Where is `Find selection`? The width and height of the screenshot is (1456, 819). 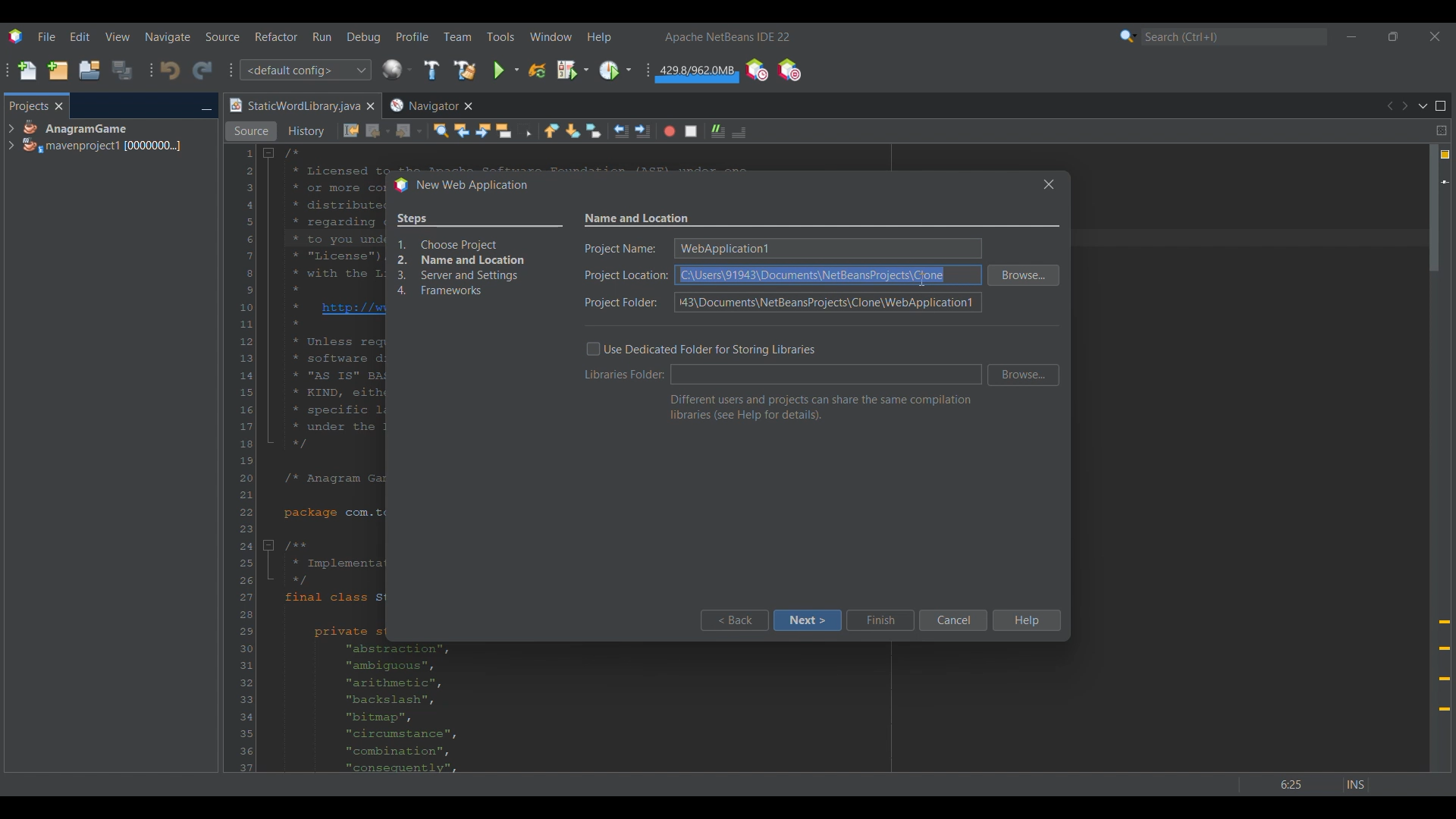
Find selection is located at coordinates (441, 130).